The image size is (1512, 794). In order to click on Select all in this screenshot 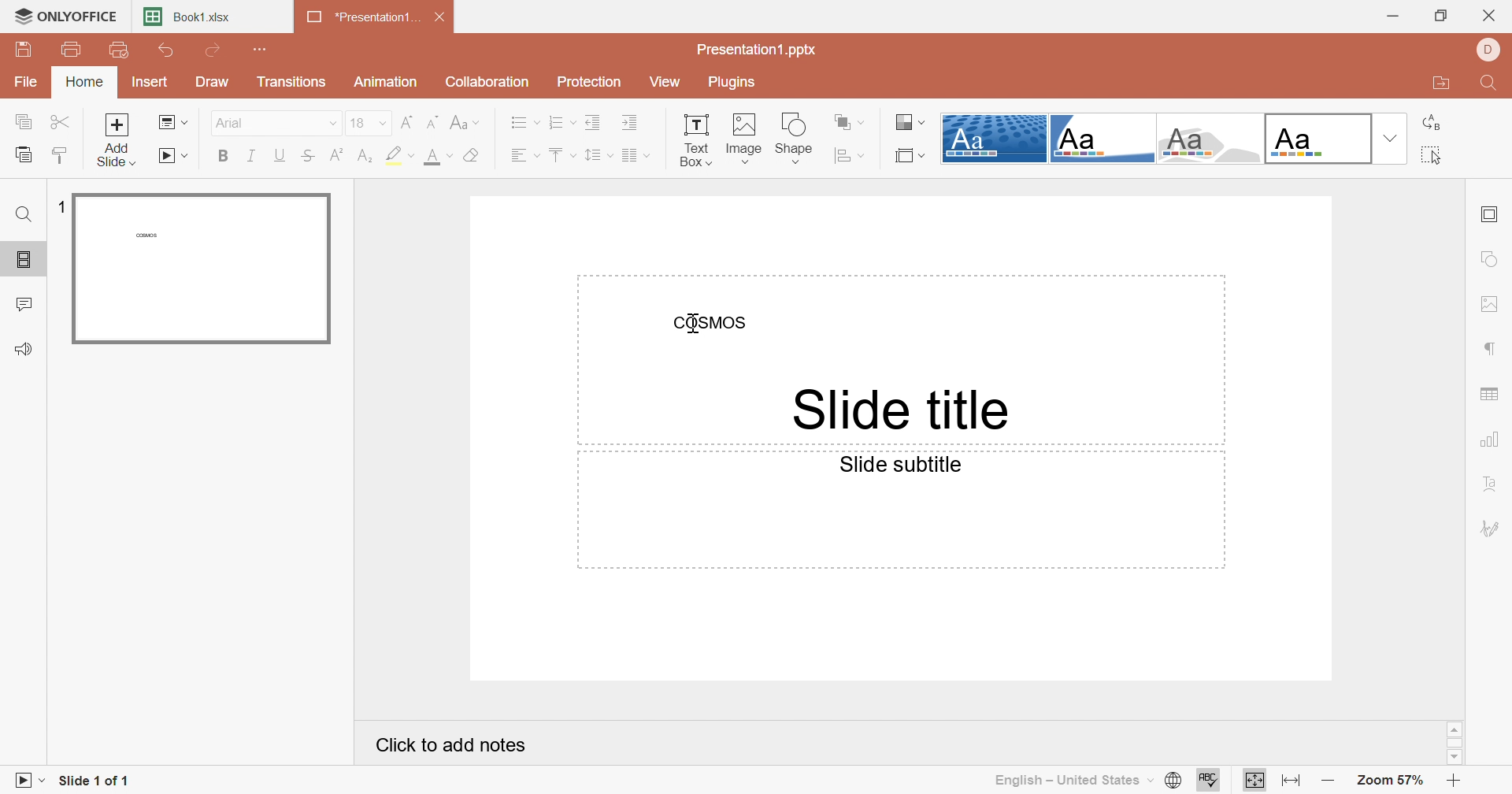, I will do `click(1432, 157)`.